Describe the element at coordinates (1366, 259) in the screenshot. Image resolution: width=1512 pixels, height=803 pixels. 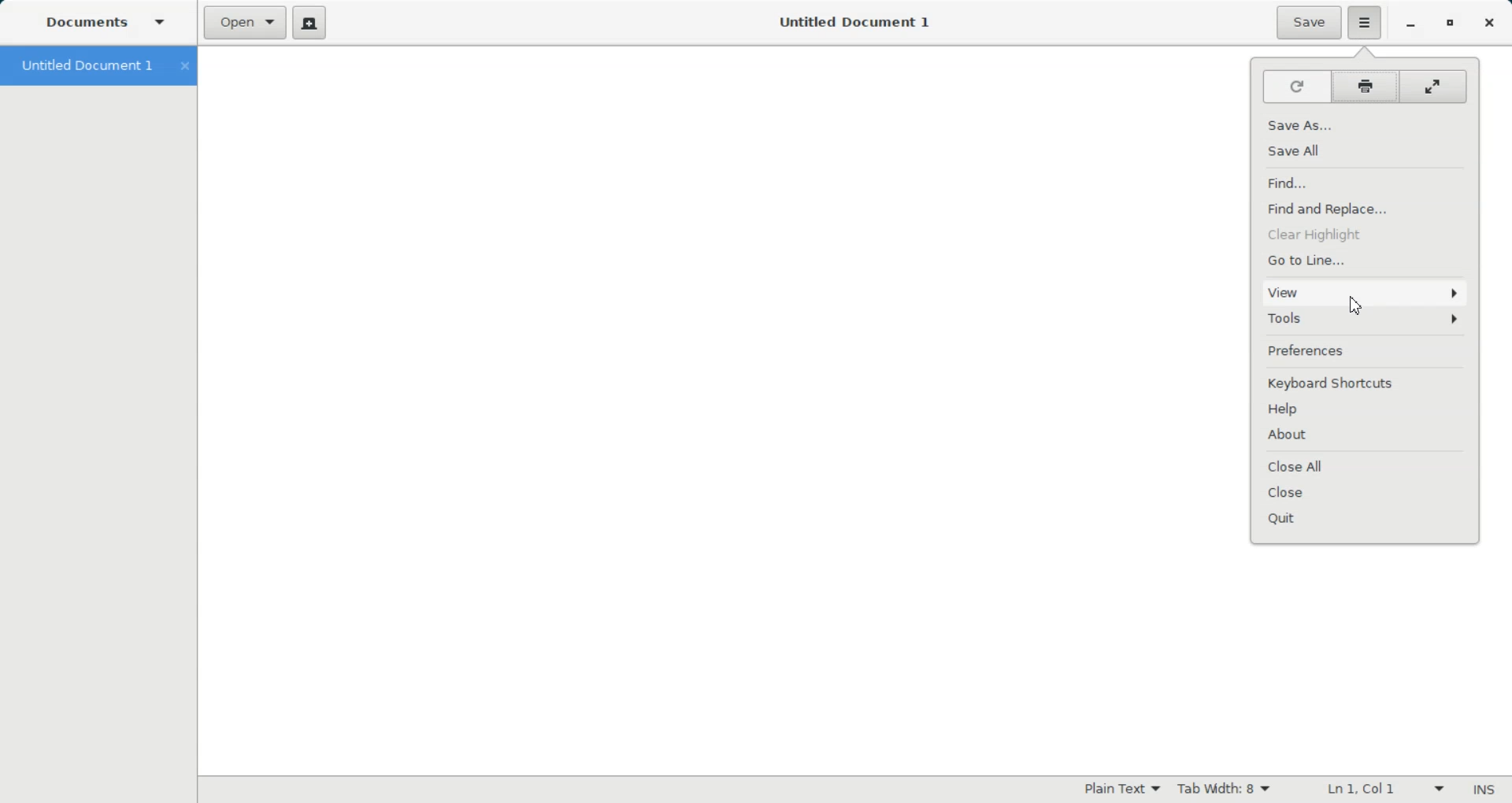
I see `Go to Line` at that location.